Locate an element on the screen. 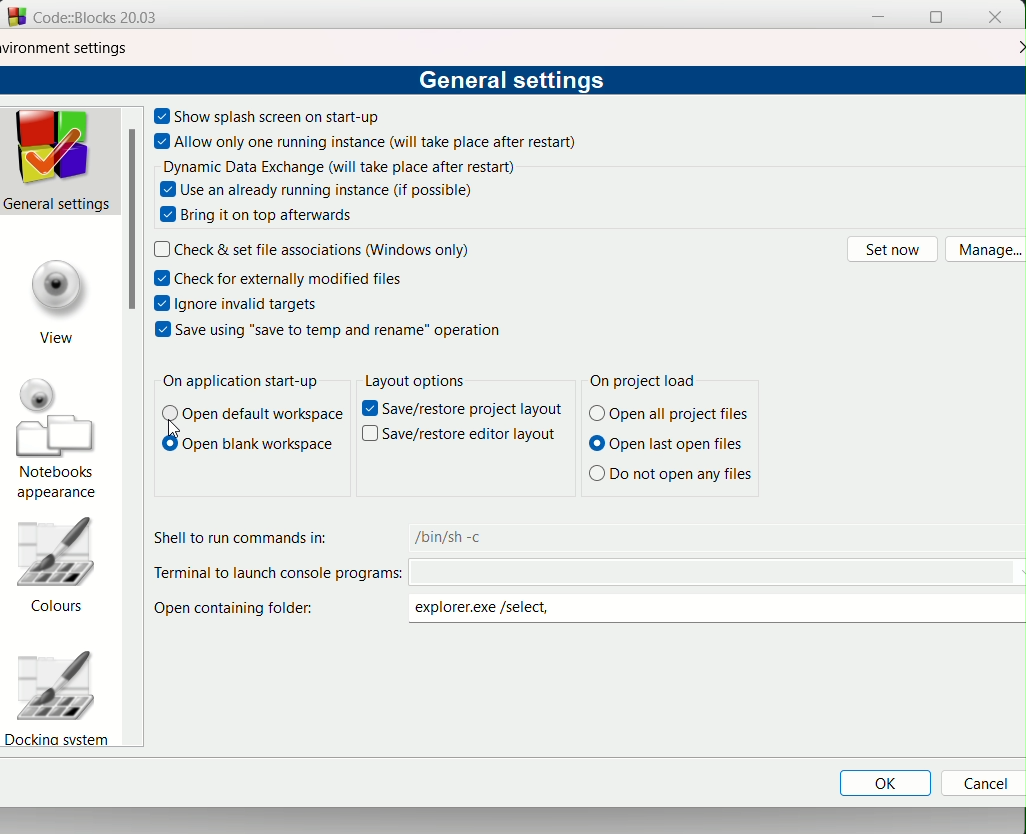 The width and height of the screenshot is (1026, 834). checkbox is located at coordinates (161, 114).